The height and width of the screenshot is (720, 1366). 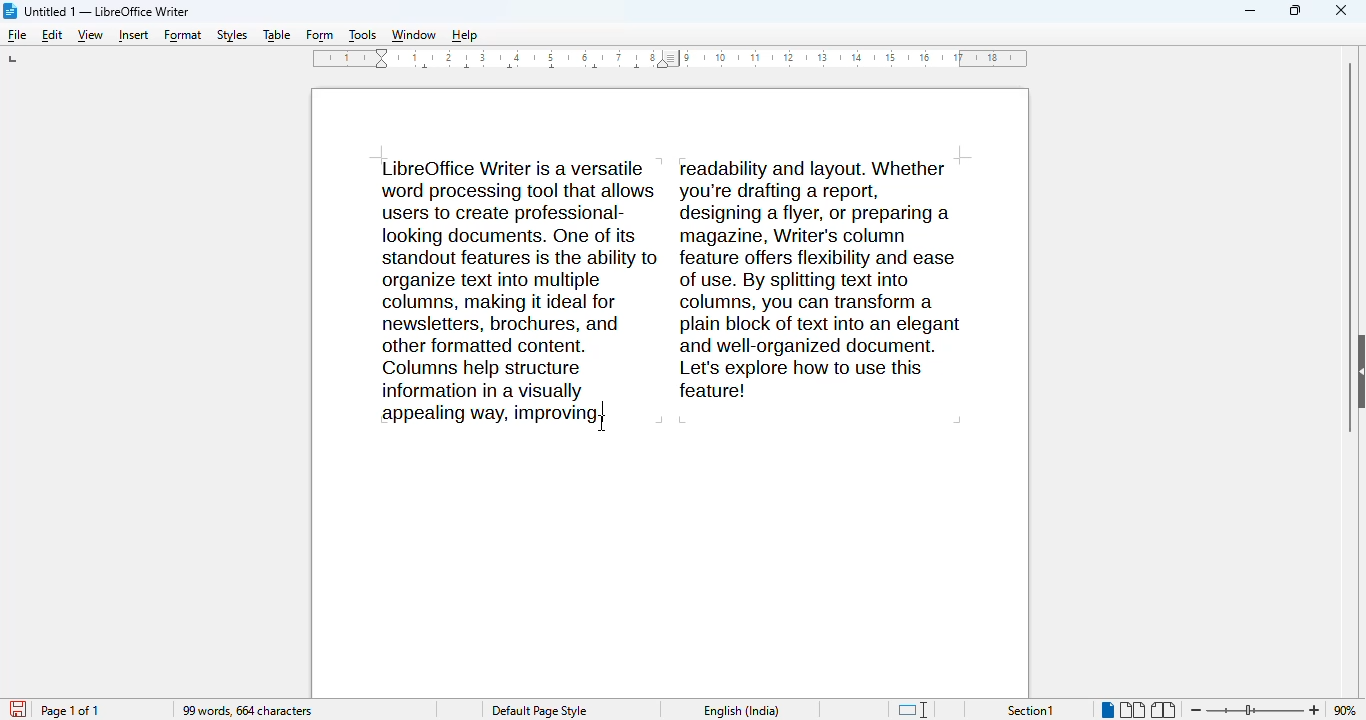 I want to click on Left Indent Marker, so click(x=674, y=59).